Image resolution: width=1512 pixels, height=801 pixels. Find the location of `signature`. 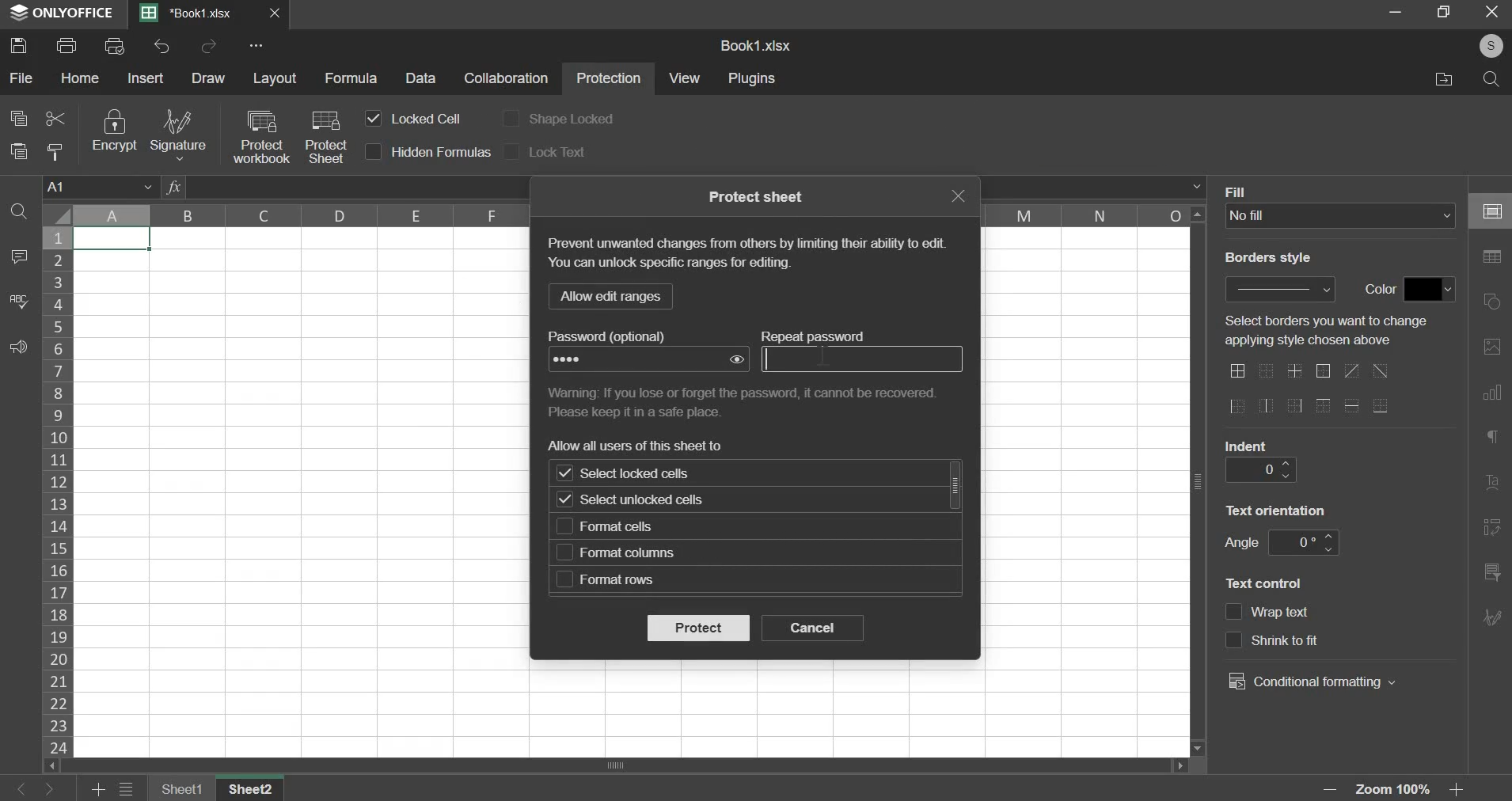

signature is located at coordinates (177, 135).